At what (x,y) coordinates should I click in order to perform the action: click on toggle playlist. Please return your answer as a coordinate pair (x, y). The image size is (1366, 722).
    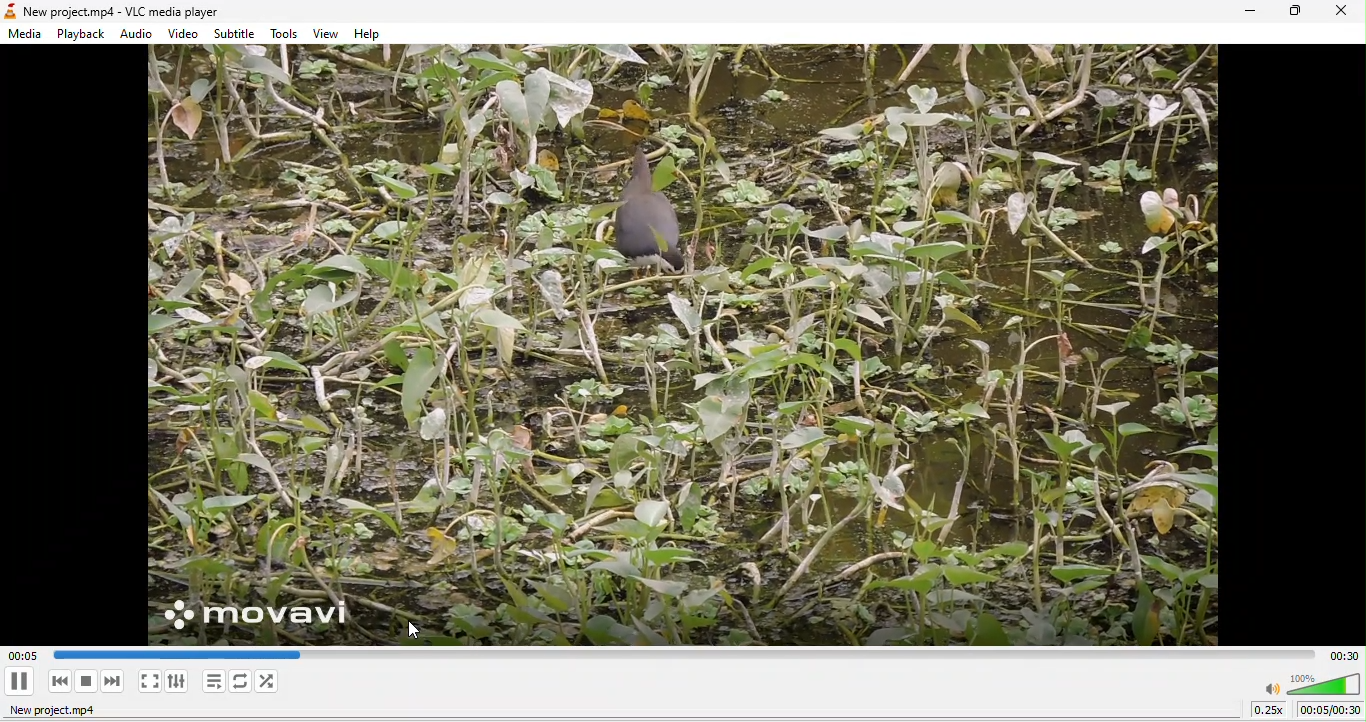
    Looking at the image, I should click on (211, 684).